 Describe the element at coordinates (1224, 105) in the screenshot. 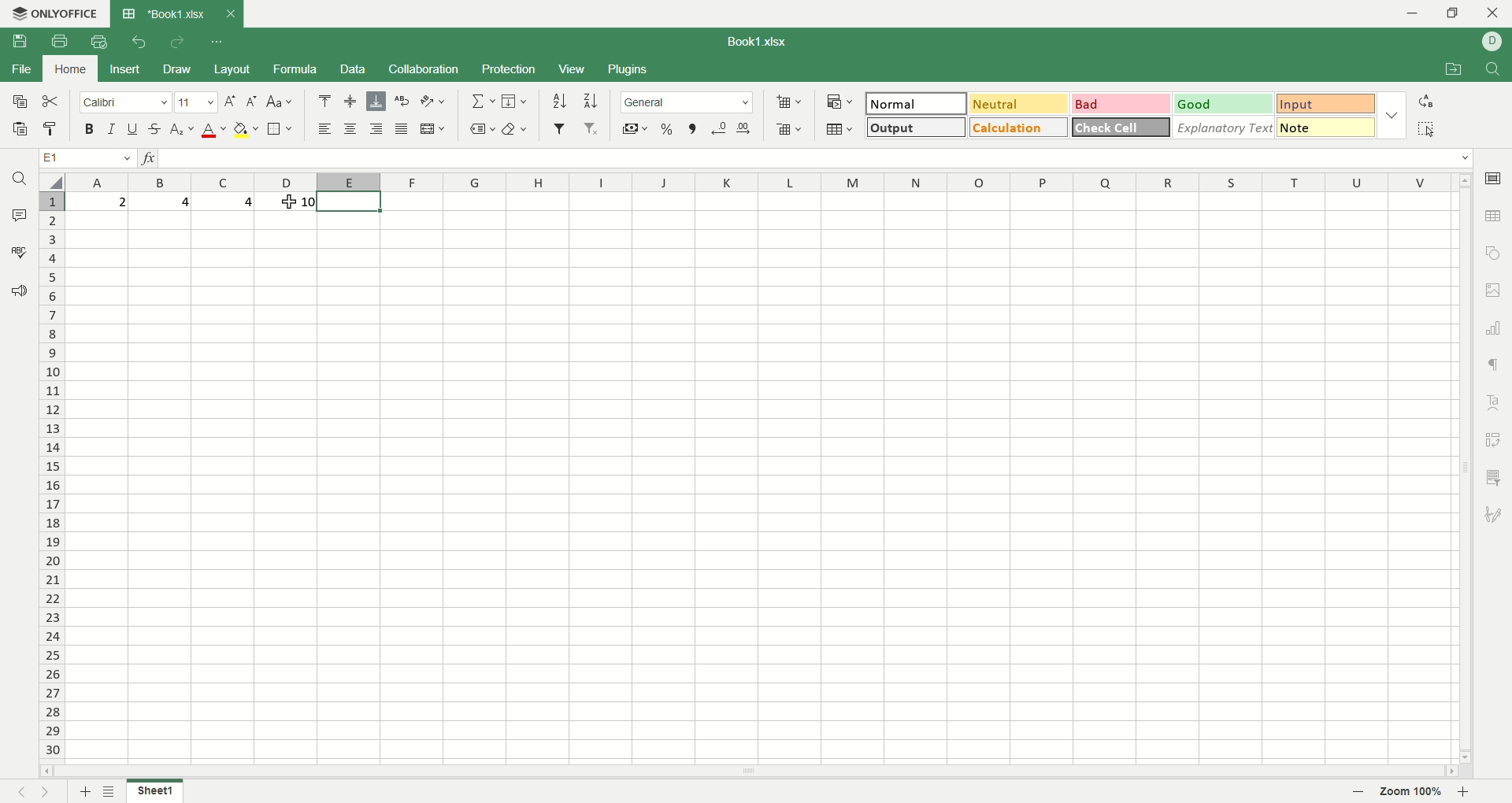

I see `good` at that location.